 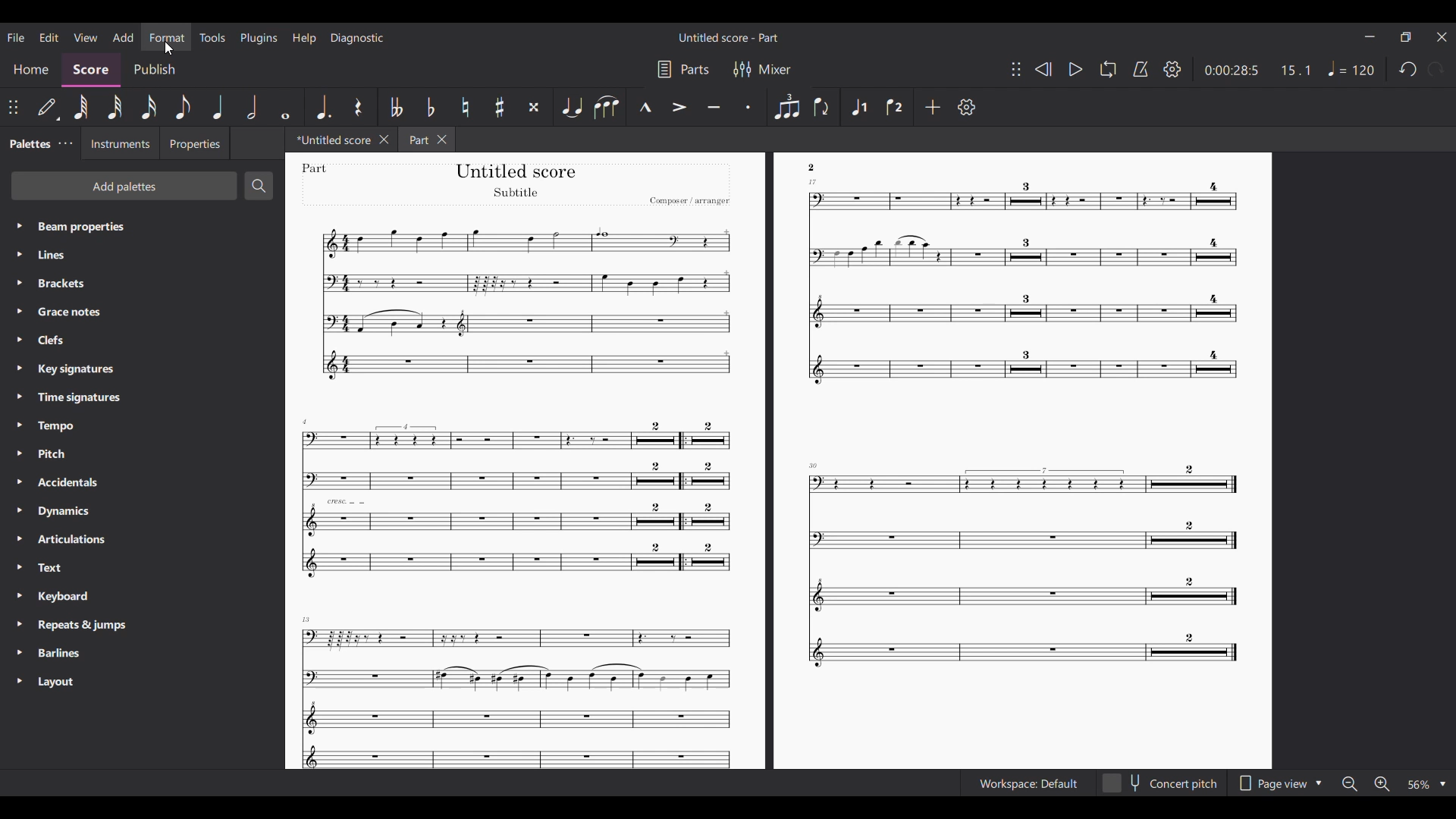 I want to click on Close interface, so click(x=1442, y=36).